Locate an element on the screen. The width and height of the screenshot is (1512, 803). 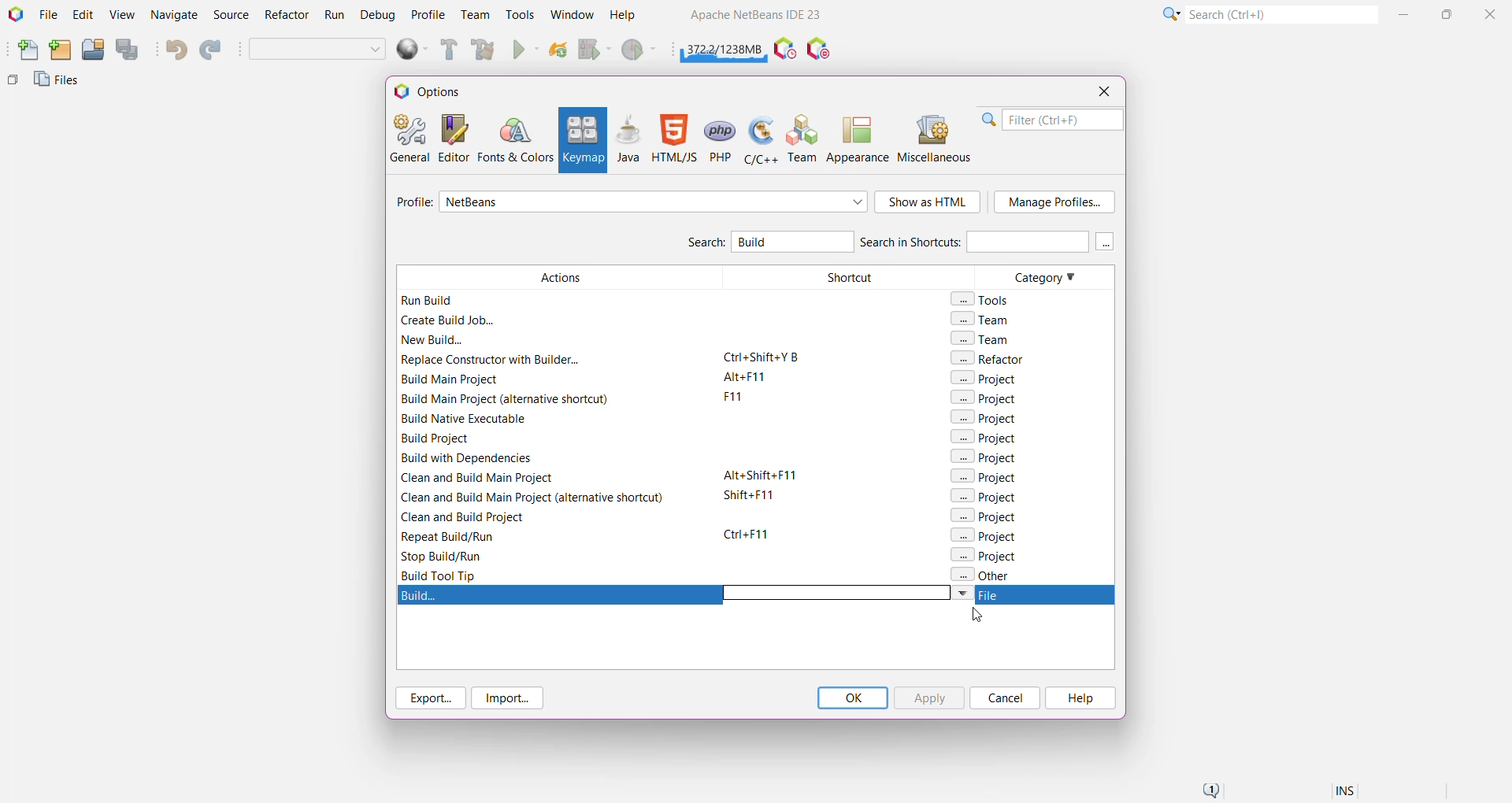
HTML/JS is located at coordinates (673, 139).